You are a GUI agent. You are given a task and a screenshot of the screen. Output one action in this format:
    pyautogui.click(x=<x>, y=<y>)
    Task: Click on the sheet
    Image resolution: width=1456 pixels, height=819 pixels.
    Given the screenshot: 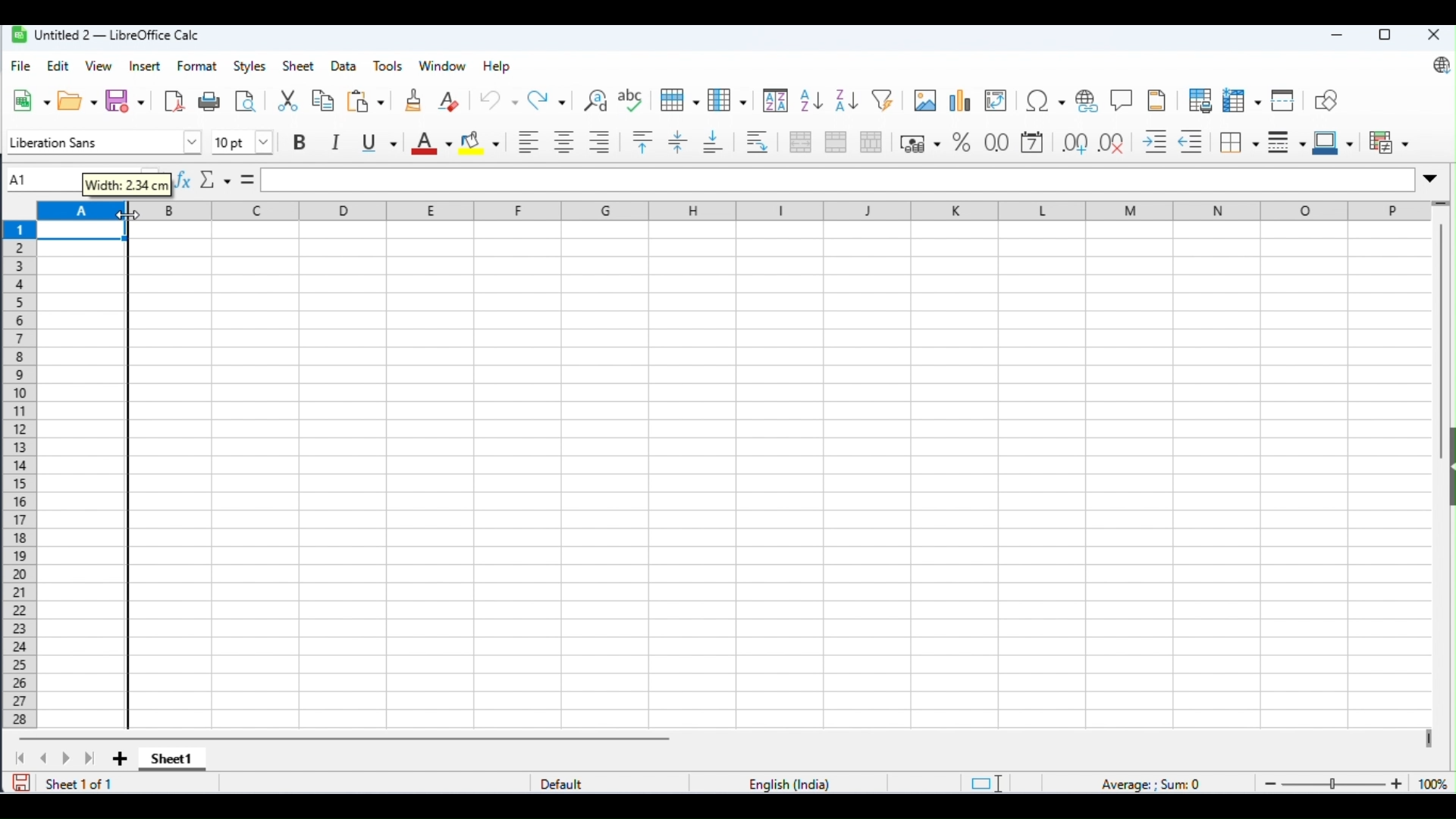 What is the action you would take?
    pyautogui.click(x=300, y=65)
    